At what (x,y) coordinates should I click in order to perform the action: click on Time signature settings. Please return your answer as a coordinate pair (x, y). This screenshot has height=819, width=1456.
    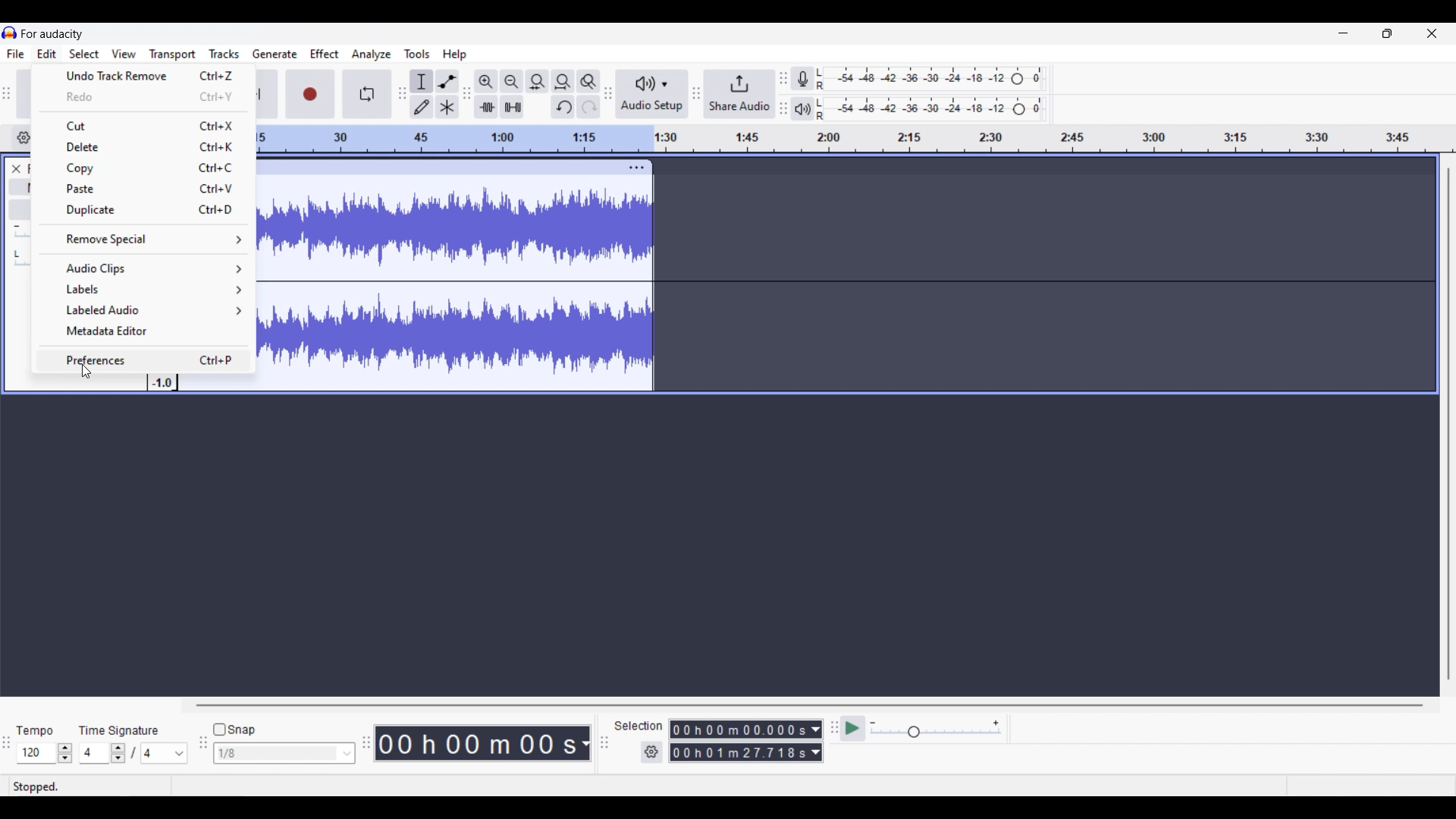
    Looking at the image, I should click on (133, 753).